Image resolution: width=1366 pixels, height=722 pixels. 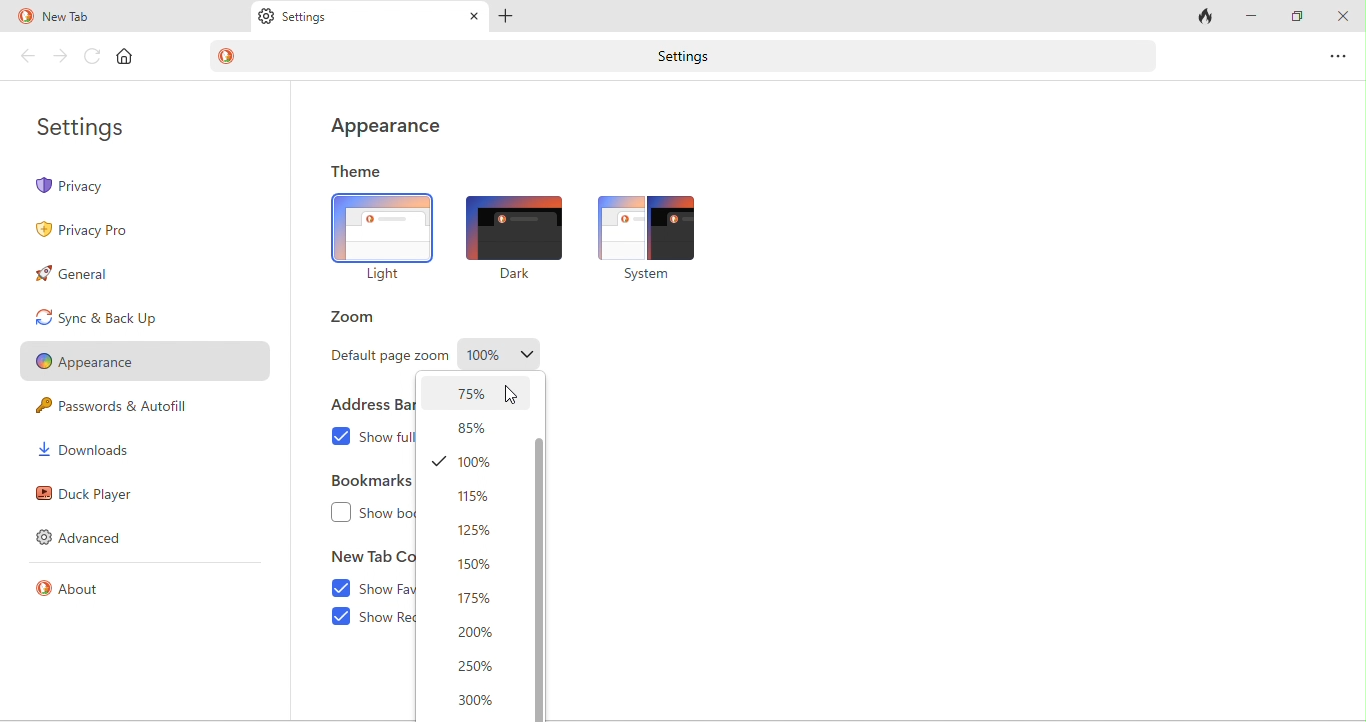 What do you see at coordinates (91, 228) in the screenshot?
I see `privacy pro` at bounding box center [91, 228].